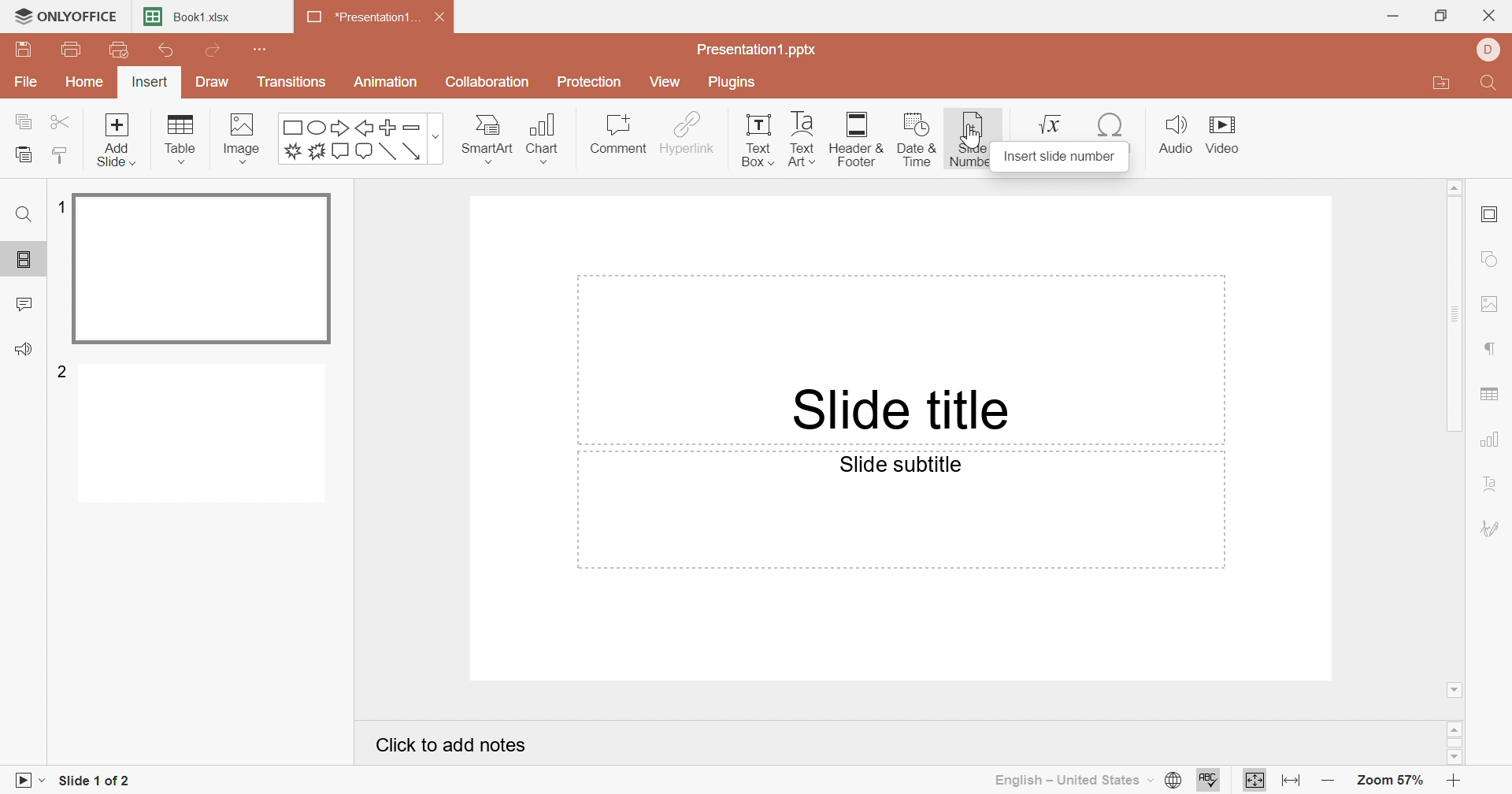 The image size is (1512, 794). What do you see at coordinates (61, 155) in the screenshot?
I see `Copy Style` at bounding box center [61, 155].